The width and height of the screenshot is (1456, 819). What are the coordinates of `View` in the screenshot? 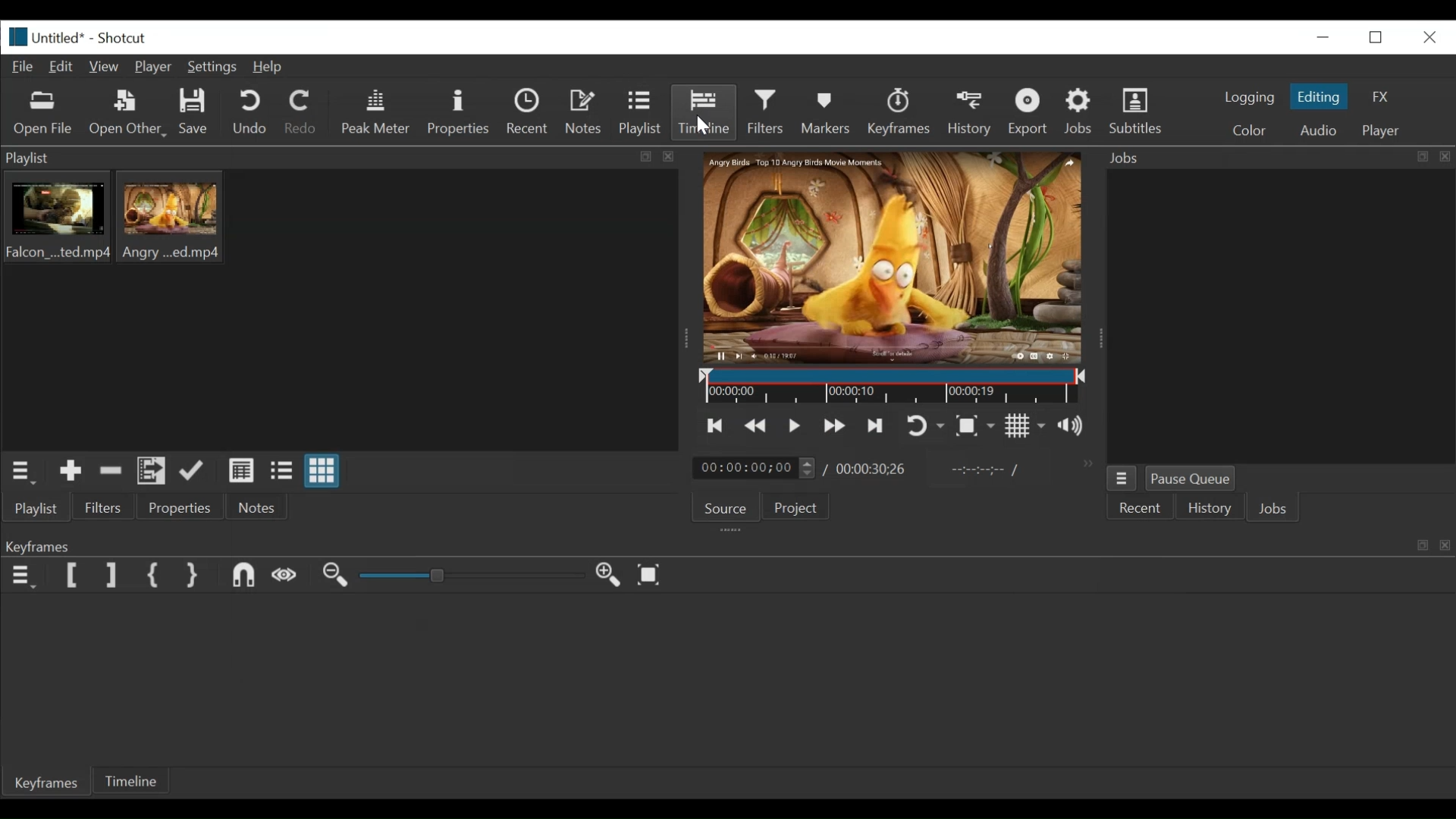 It's located at (105, 67).